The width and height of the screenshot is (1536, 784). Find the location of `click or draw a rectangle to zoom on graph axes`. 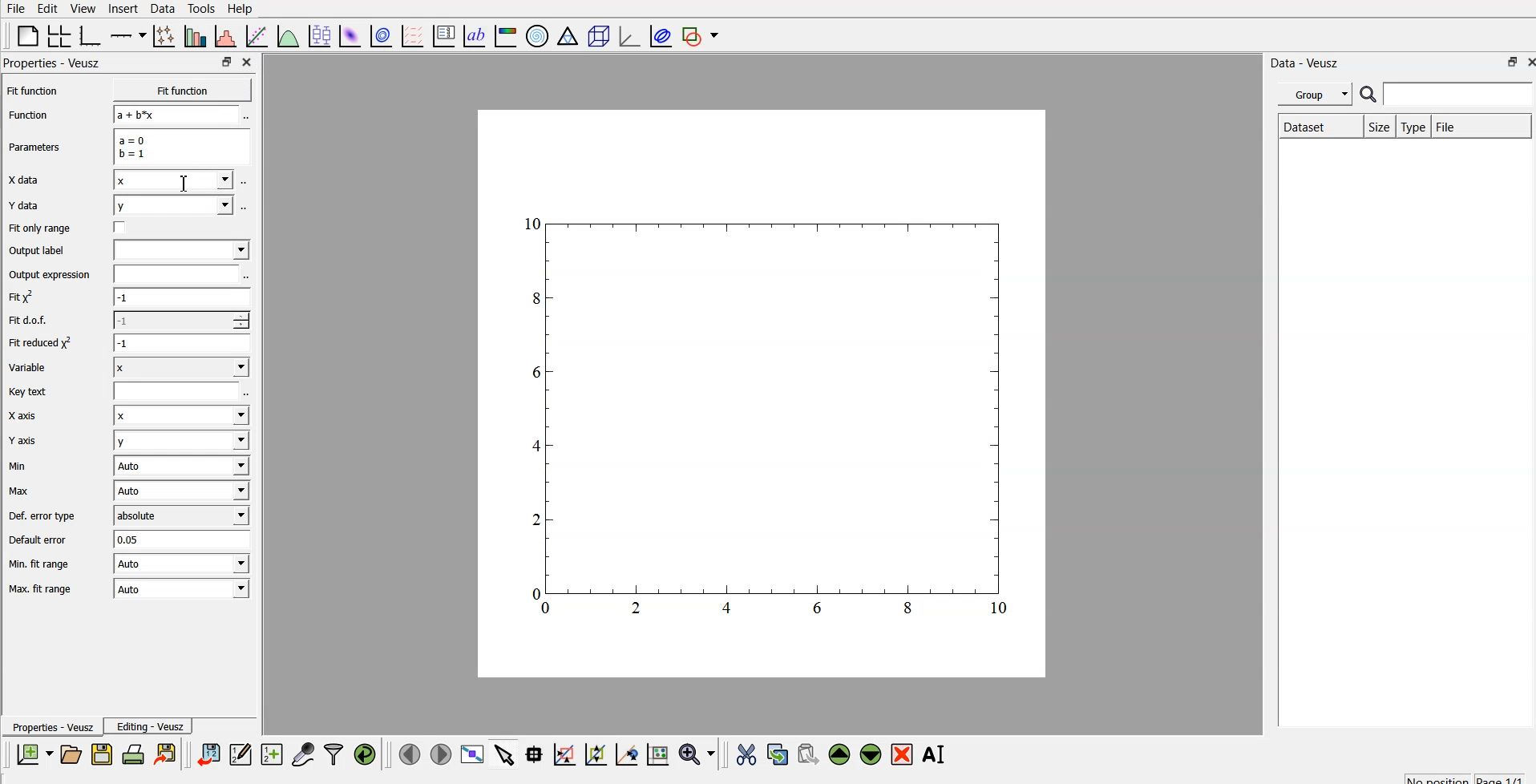

click or draw a rectangle to zoom on graph axes is located at coordinates (567, 756).